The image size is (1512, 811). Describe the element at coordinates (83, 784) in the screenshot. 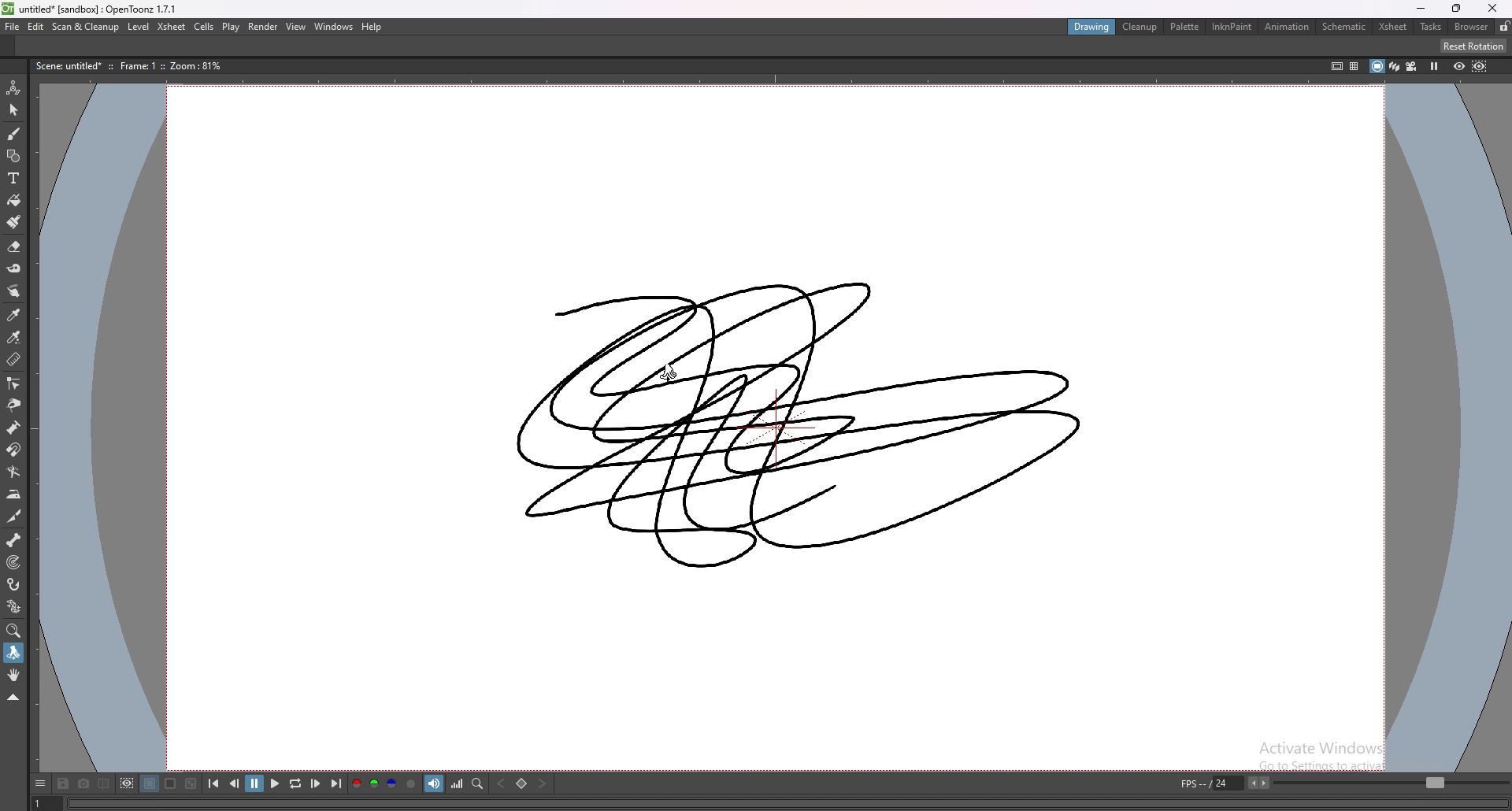

I see `snapshot` at that location.